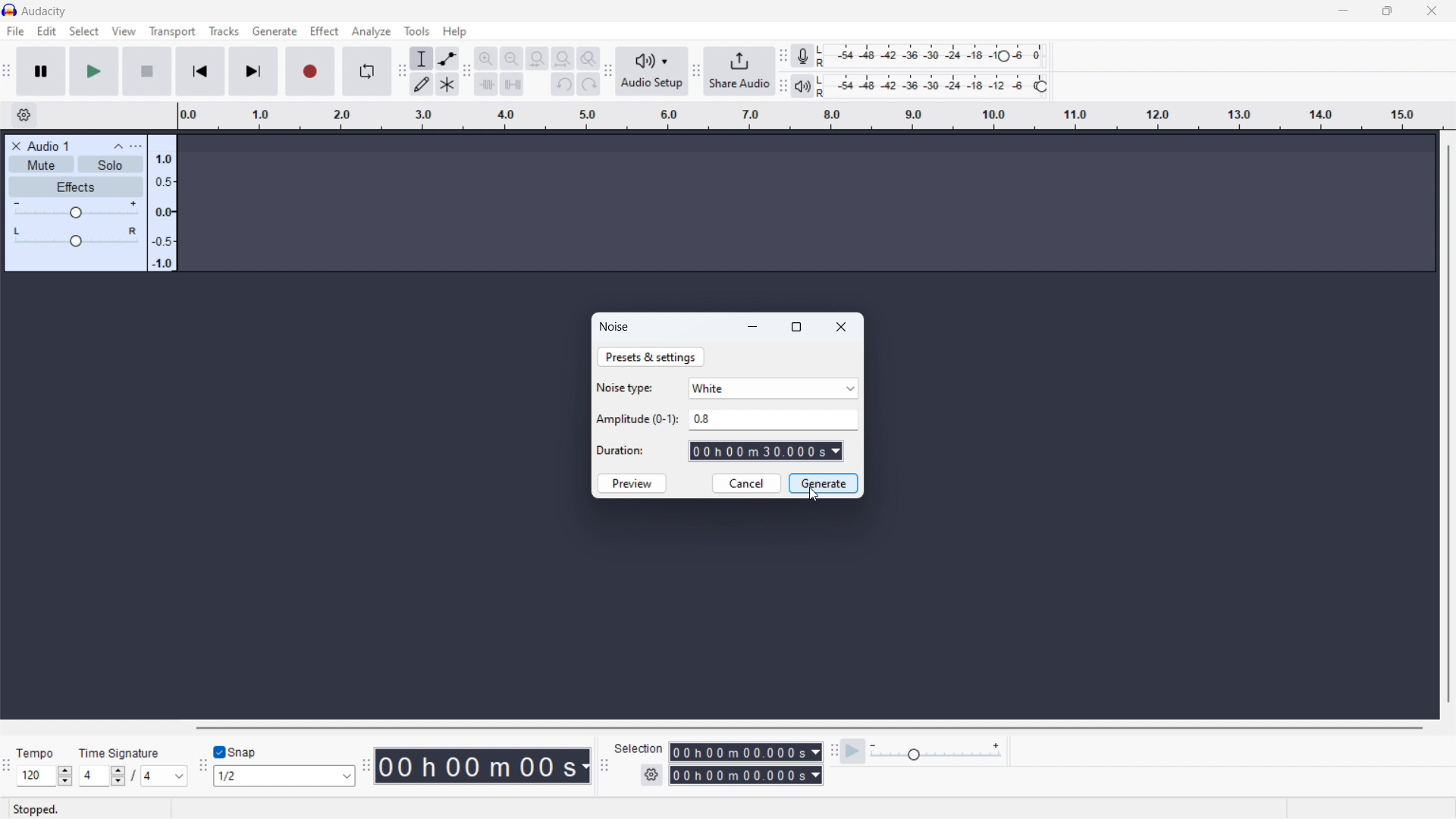 The image size is (1456, 819). What do you see at coordinates (274, 31) in the screenshot?
I see `Generate` at bounding box center [274, 31].